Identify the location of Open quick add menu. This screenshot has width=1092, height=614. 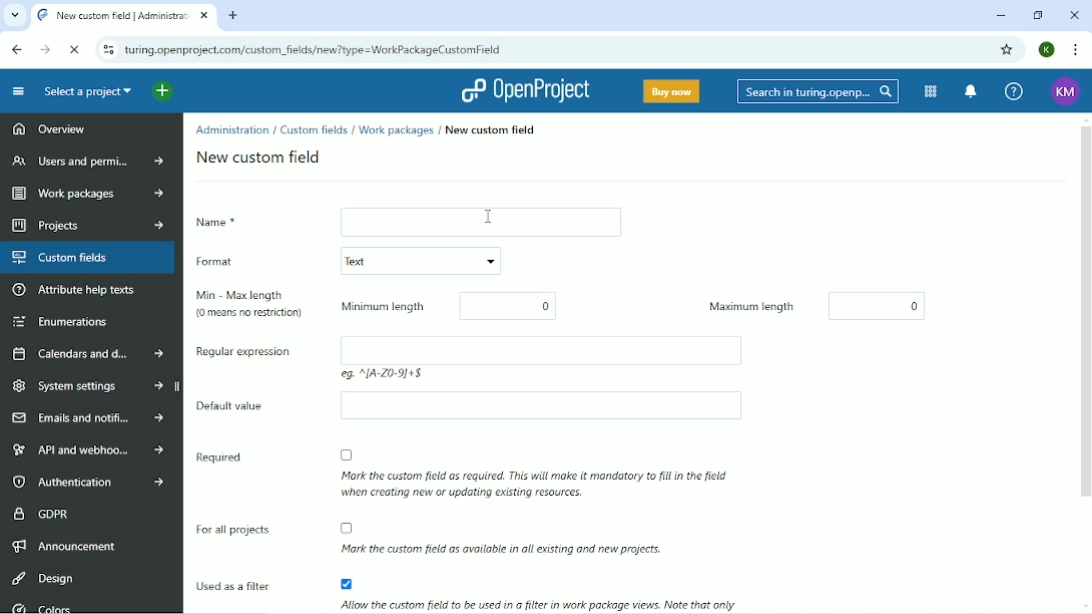
(175, 91).